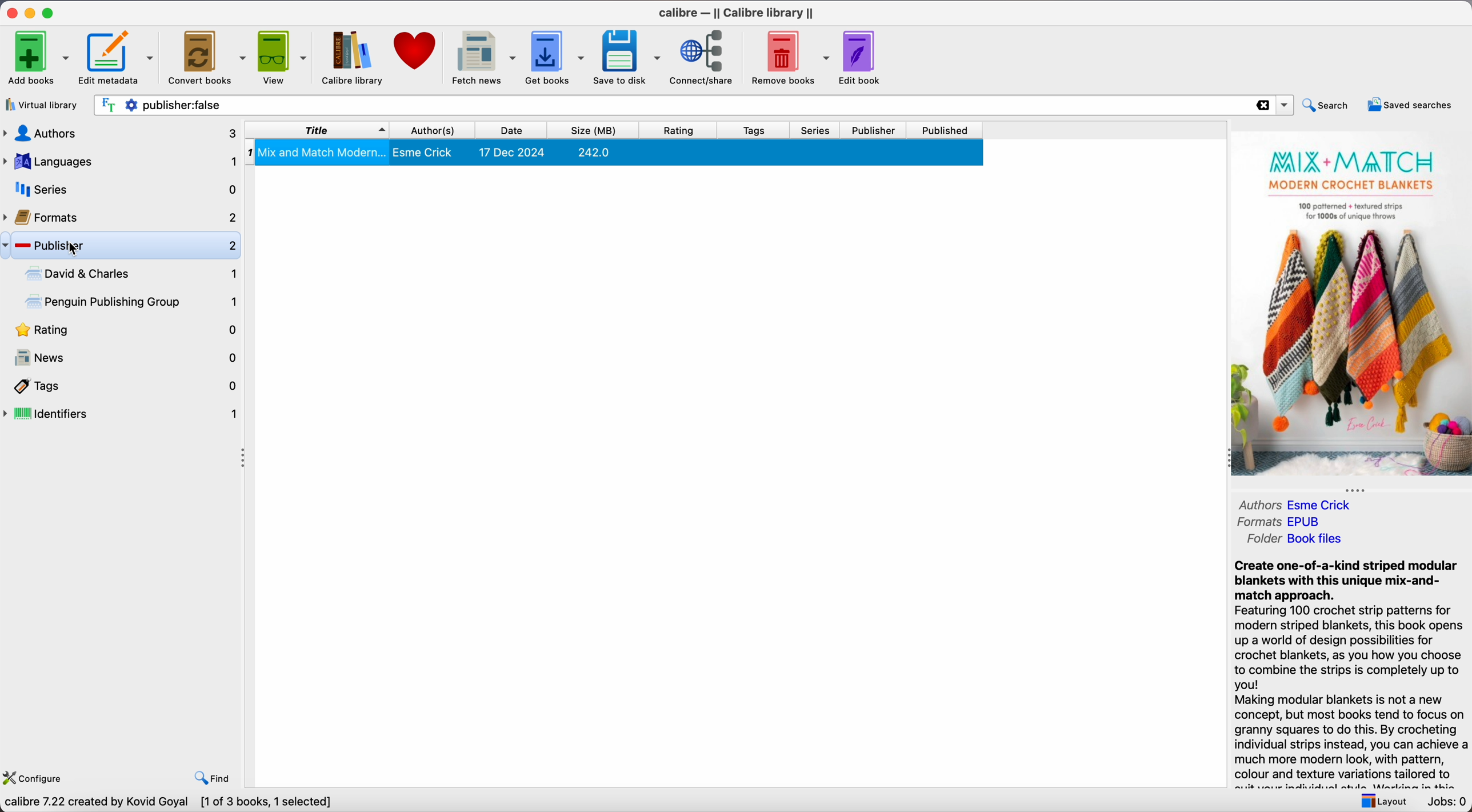 This screenshot has height=812, width=1472. Describe the element at coordinates (173, 802) in the screenshot. I see `calibre 7.22 created by Kovid Goyal [1 of 3 books, 1 selected]` at that location.